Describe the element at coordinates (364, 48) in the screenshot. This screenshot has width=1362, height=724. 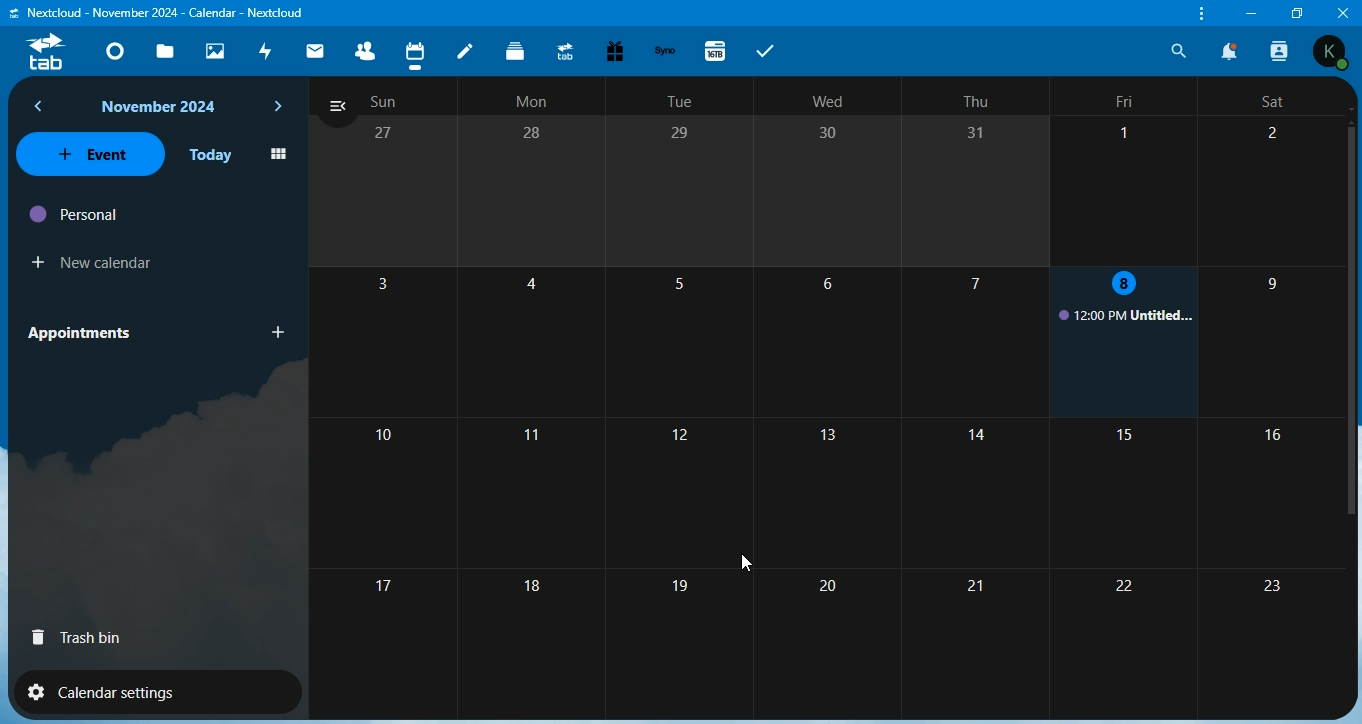
I see `contacts` at that location.